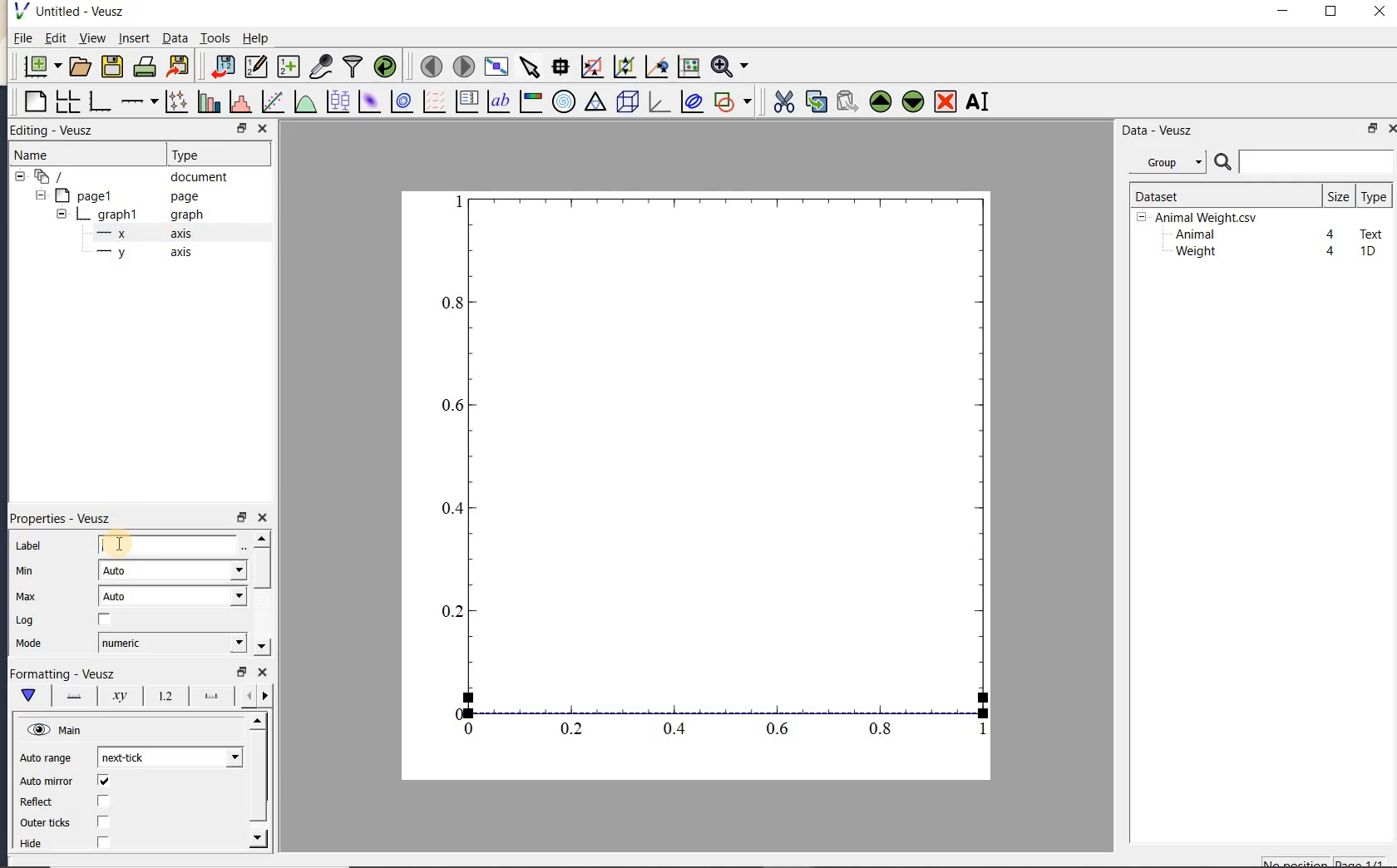 Image resolution: width=1397 pixels, height=868 pixels. What do you see at coordinates (689, 67) in the screenshot?
I see `click to reset graph axes` at bounding box center [689, 67].